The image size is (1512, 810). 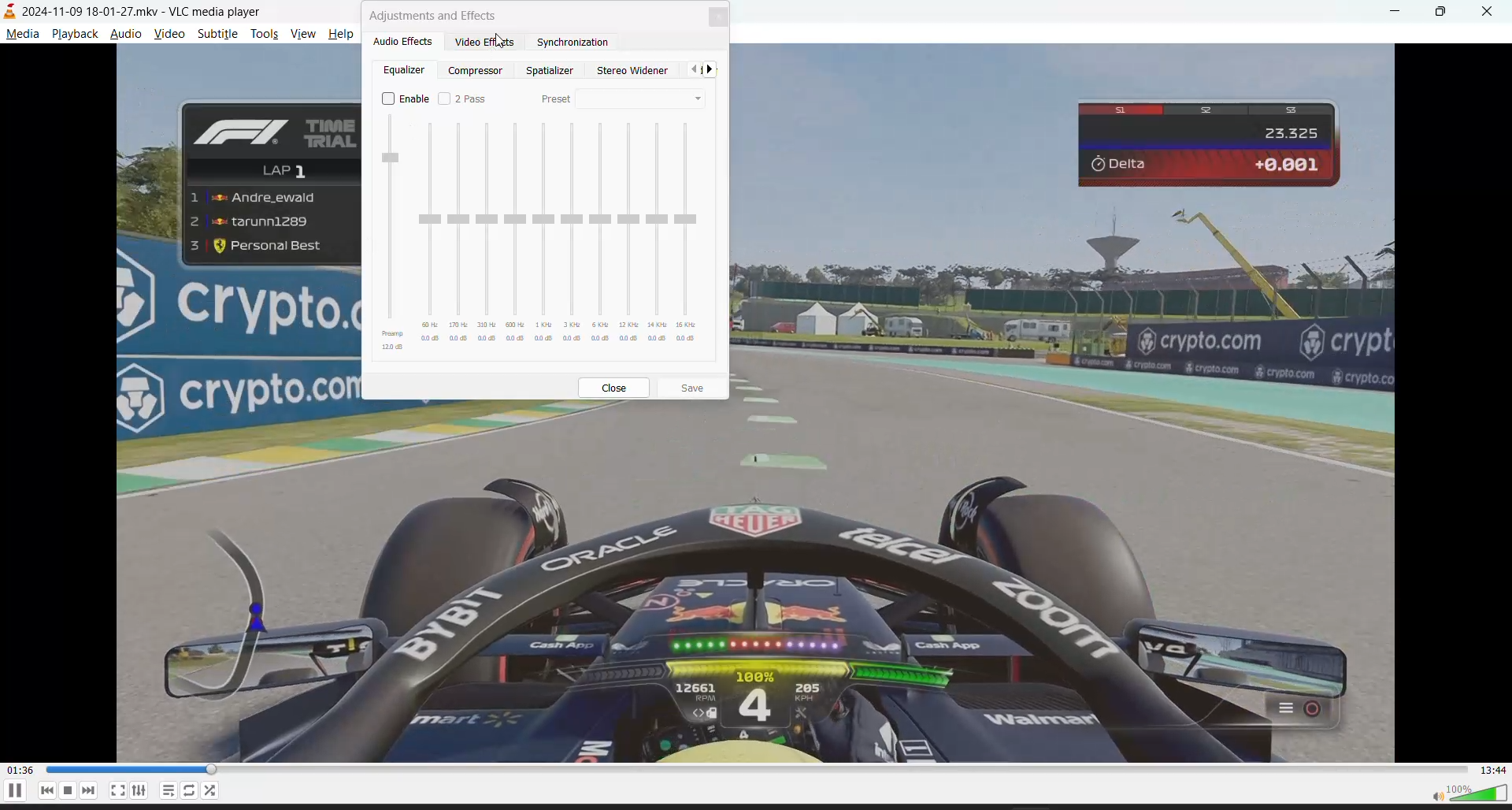 I want to click on track slider, so click(x=755, y=770).